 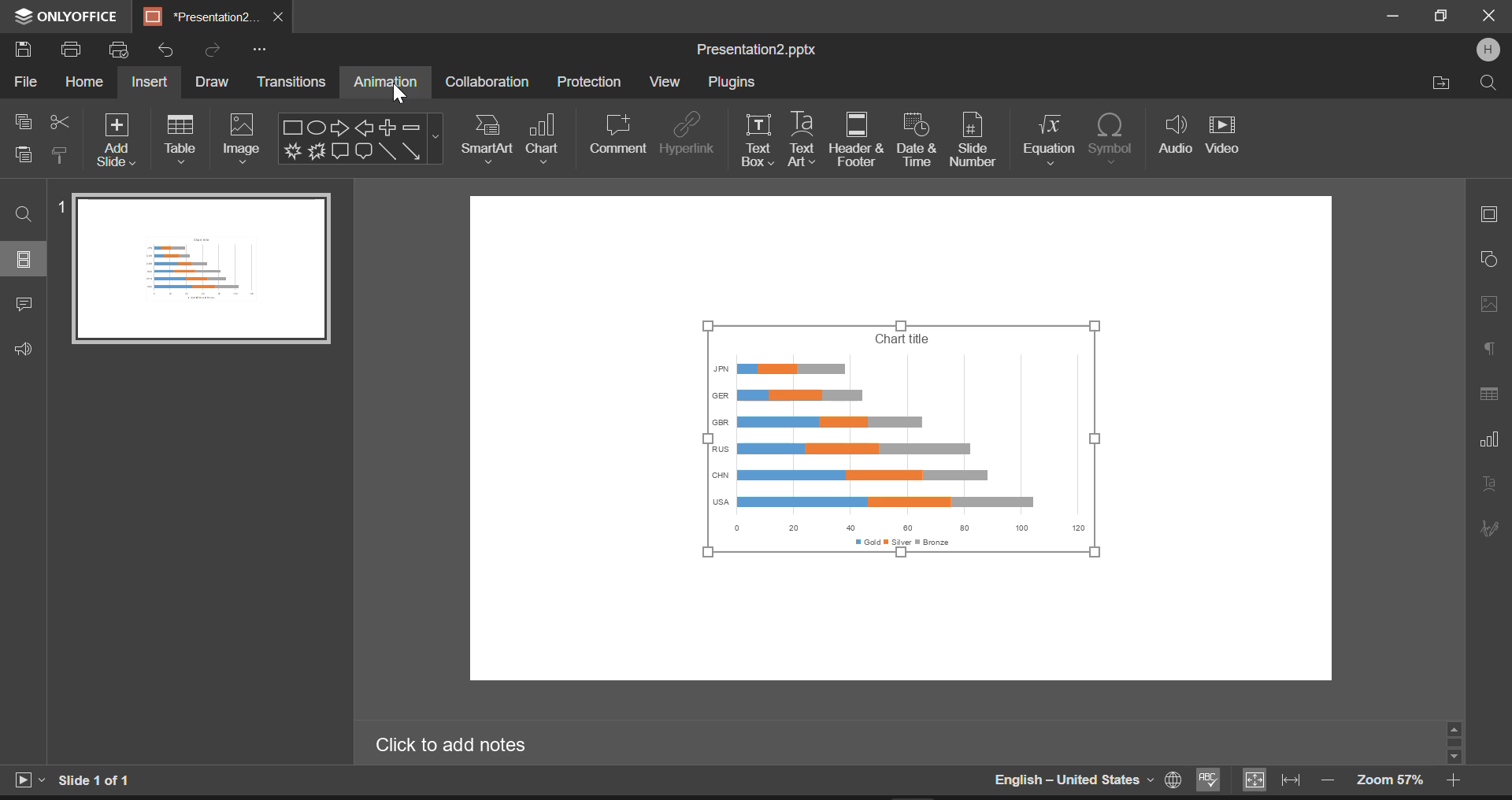 What do you see at coordinates (293, 82) in the screenshot?
I see `Transitions` at bounding box center [293, 82].